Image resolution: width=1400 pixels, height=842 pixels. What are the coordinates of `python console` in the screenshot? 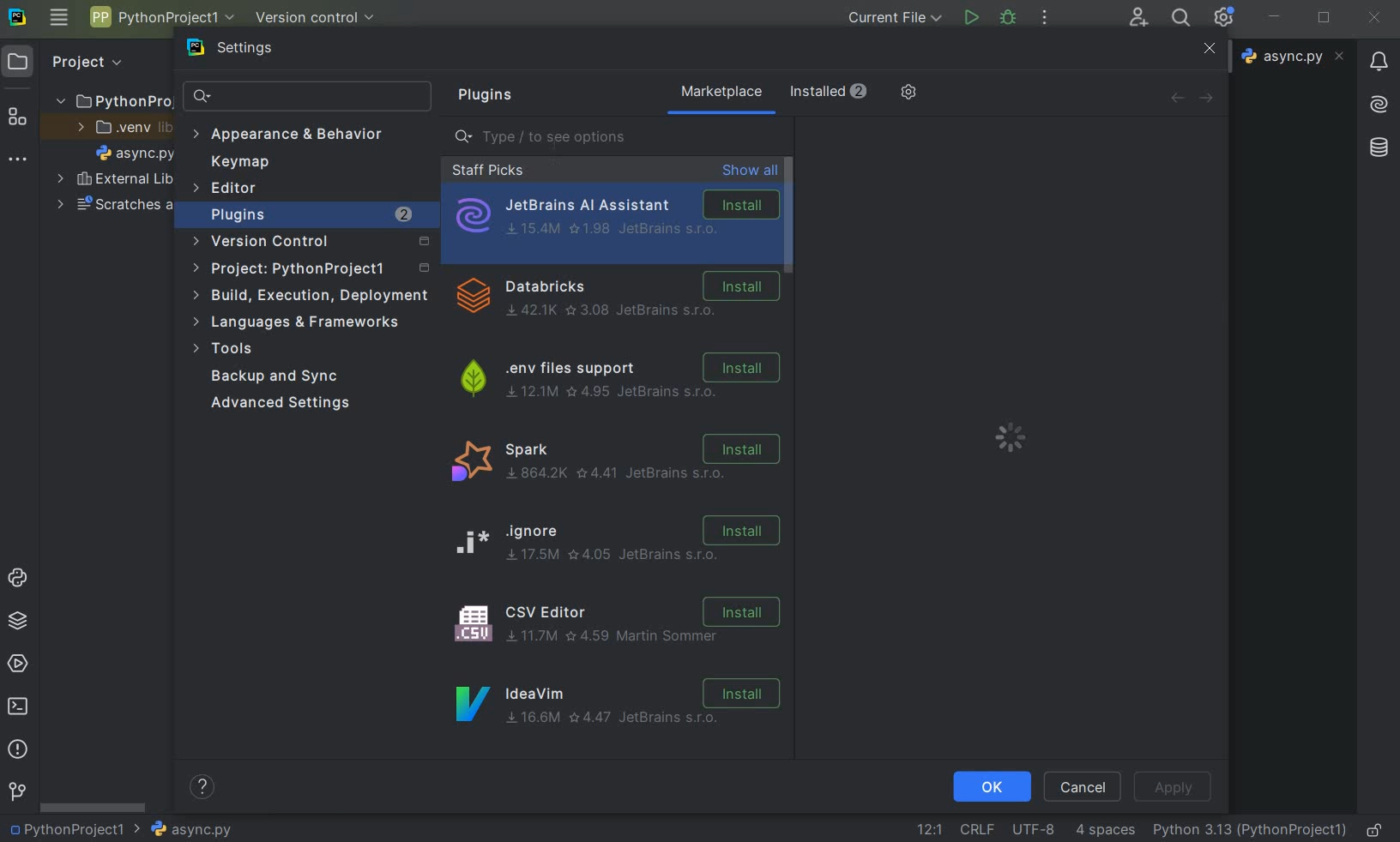 It's located at (19, 580).